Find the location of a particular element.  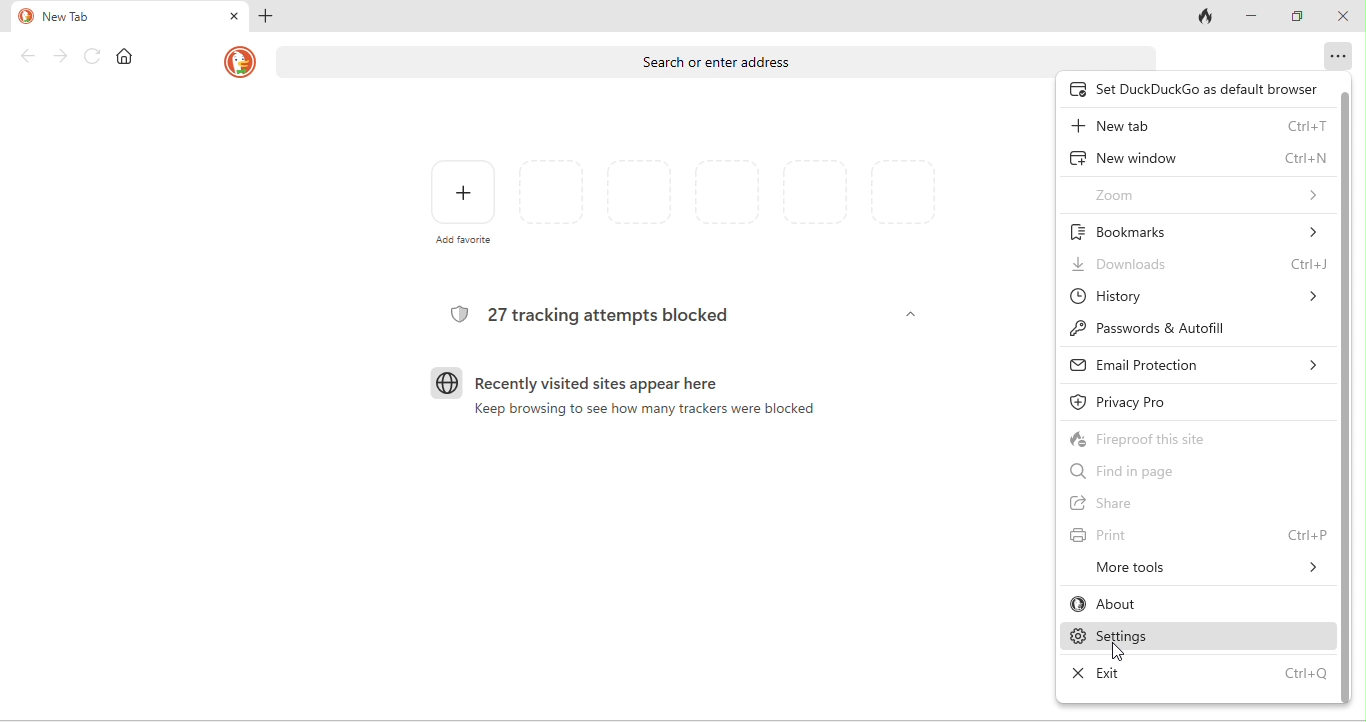

browser logo is located at coordinates (447, 383).